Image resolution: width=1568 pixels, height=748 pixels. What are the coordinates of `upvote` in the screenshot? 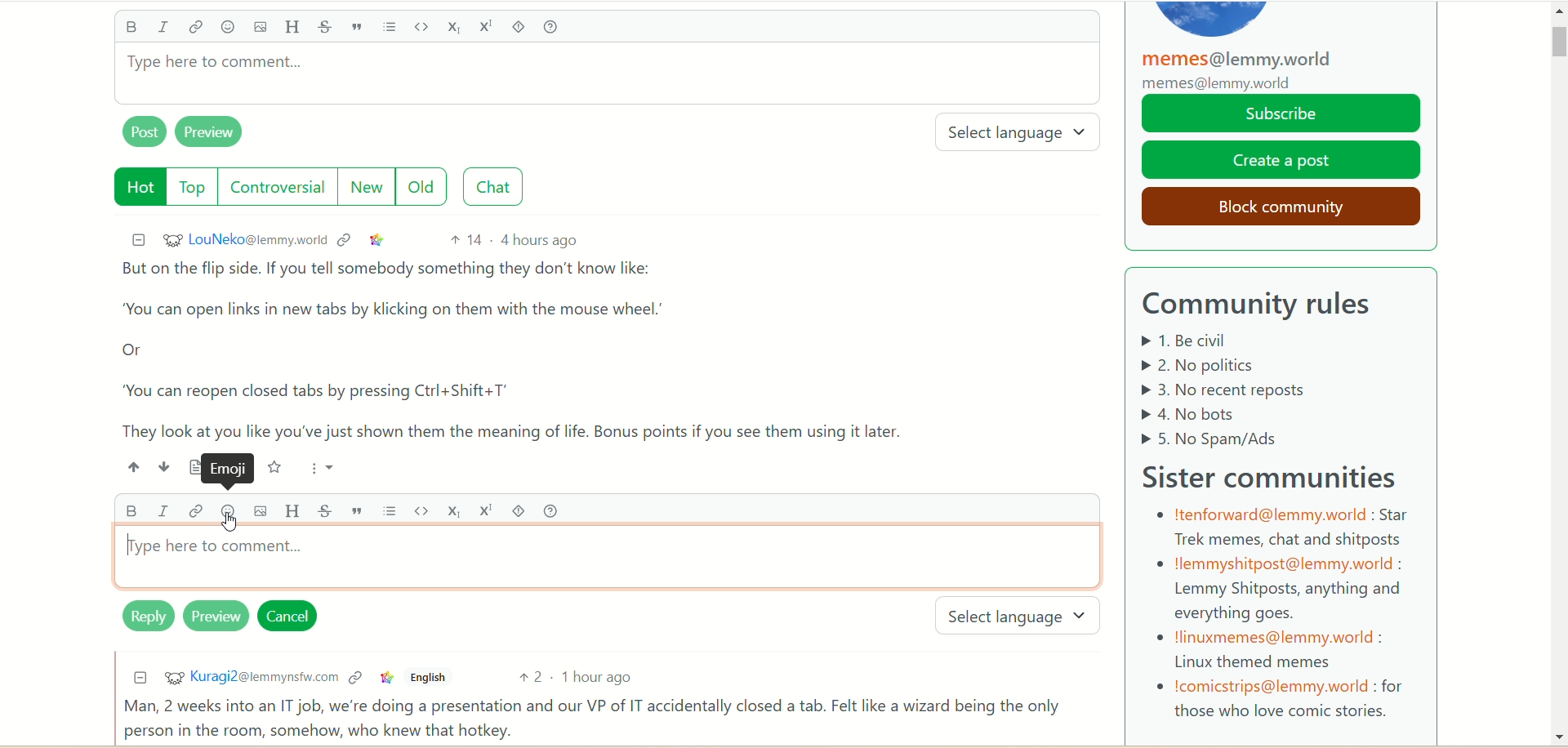 It's located at (134, 466).